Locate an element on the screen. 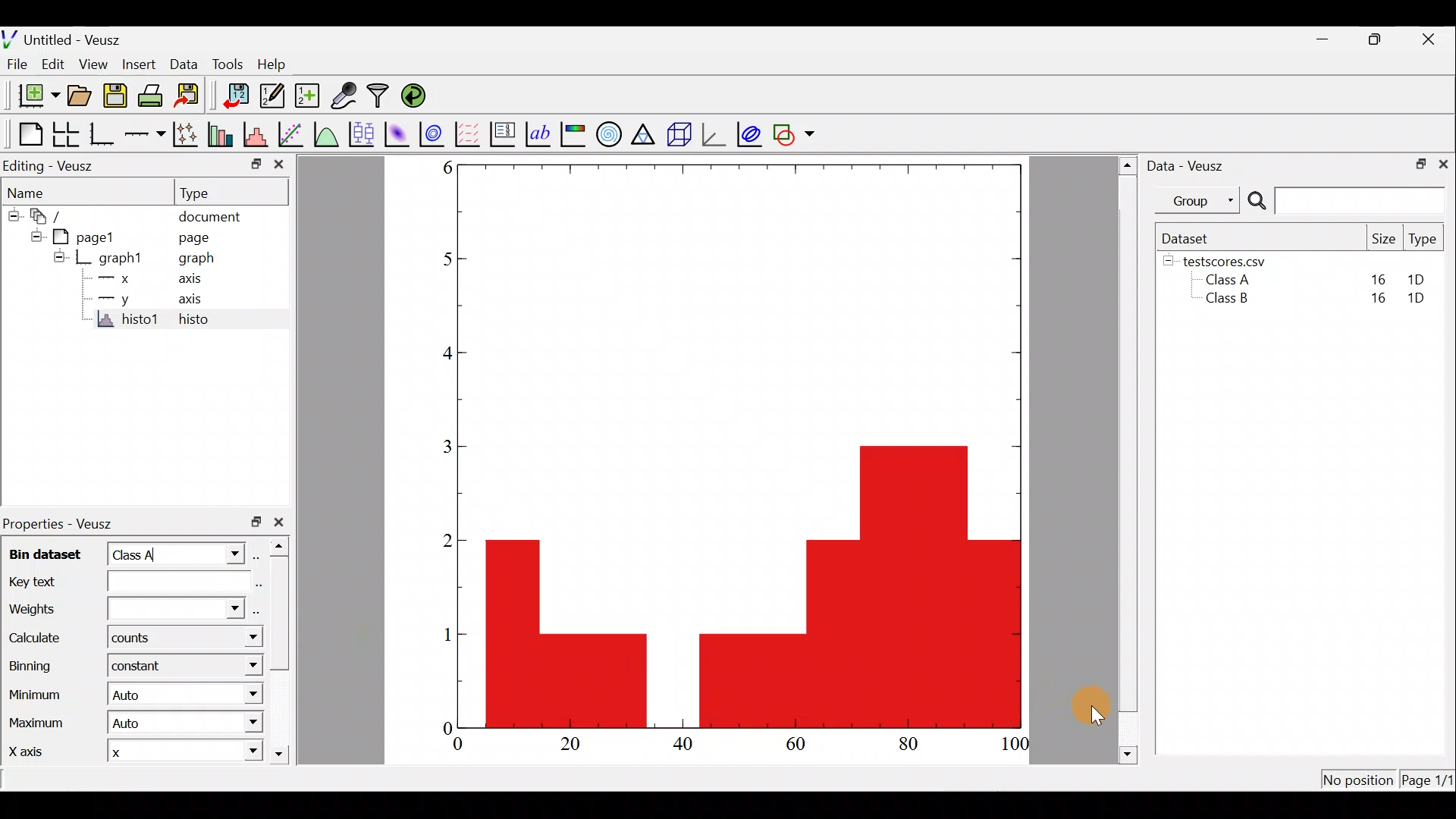 Image resolution: width=1456 pixels, height=819 pixels. Class A is located at coordinates (1232, 279).